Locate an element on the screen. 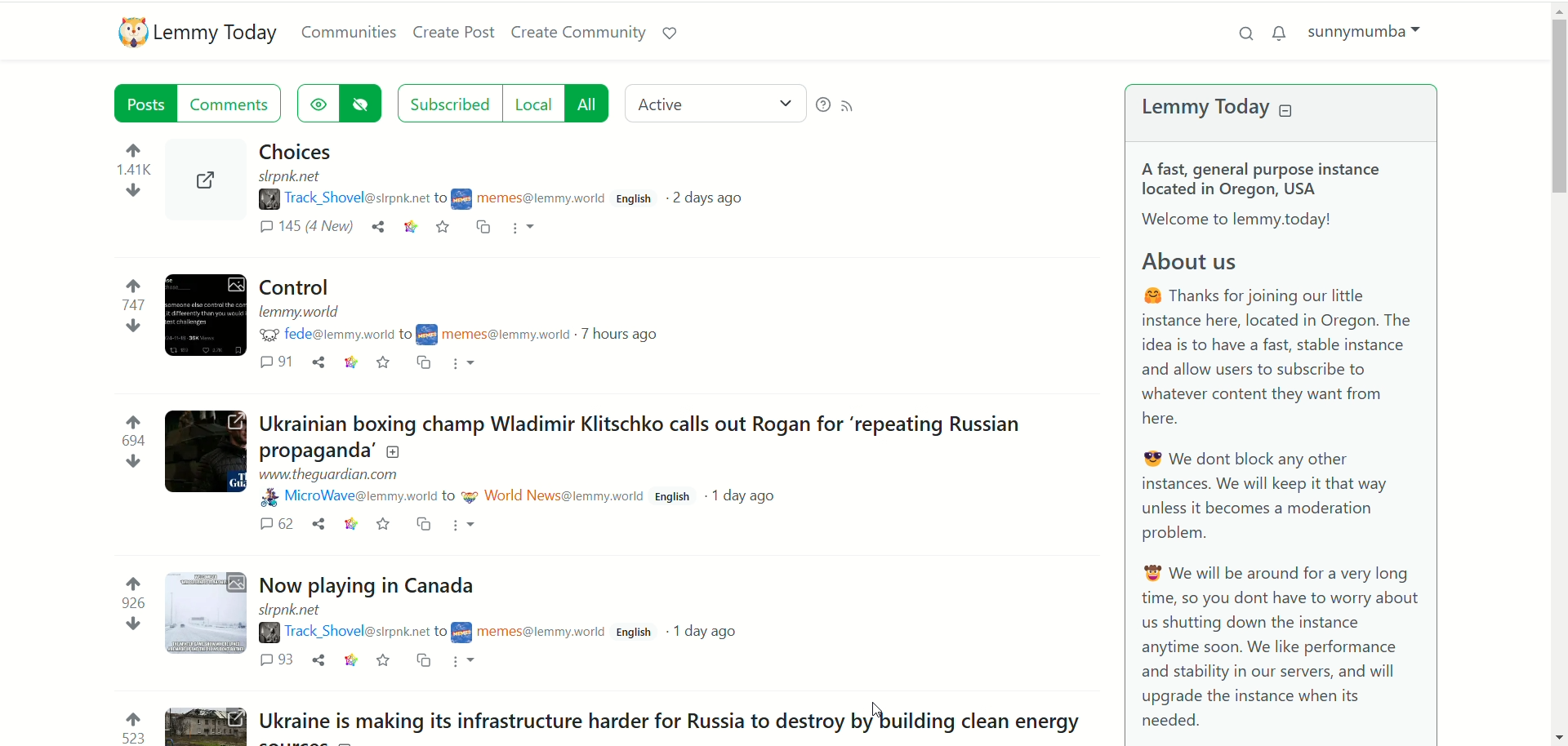  active is located at coordinates (717, 105).